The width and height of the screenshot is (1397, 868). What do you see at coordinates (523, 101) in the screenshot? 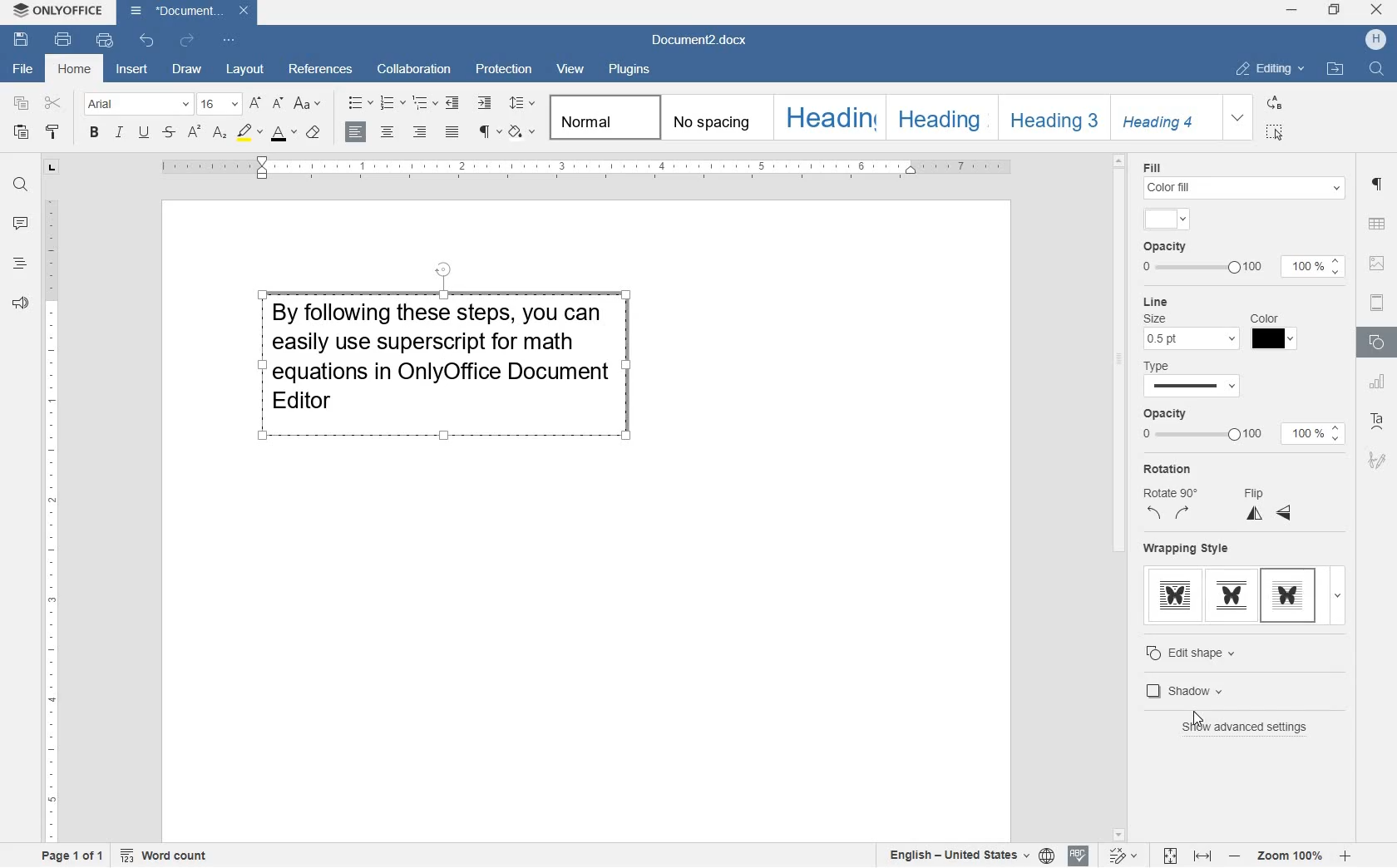
I see `paragraph line spacing` at bounding box center [523, 101].